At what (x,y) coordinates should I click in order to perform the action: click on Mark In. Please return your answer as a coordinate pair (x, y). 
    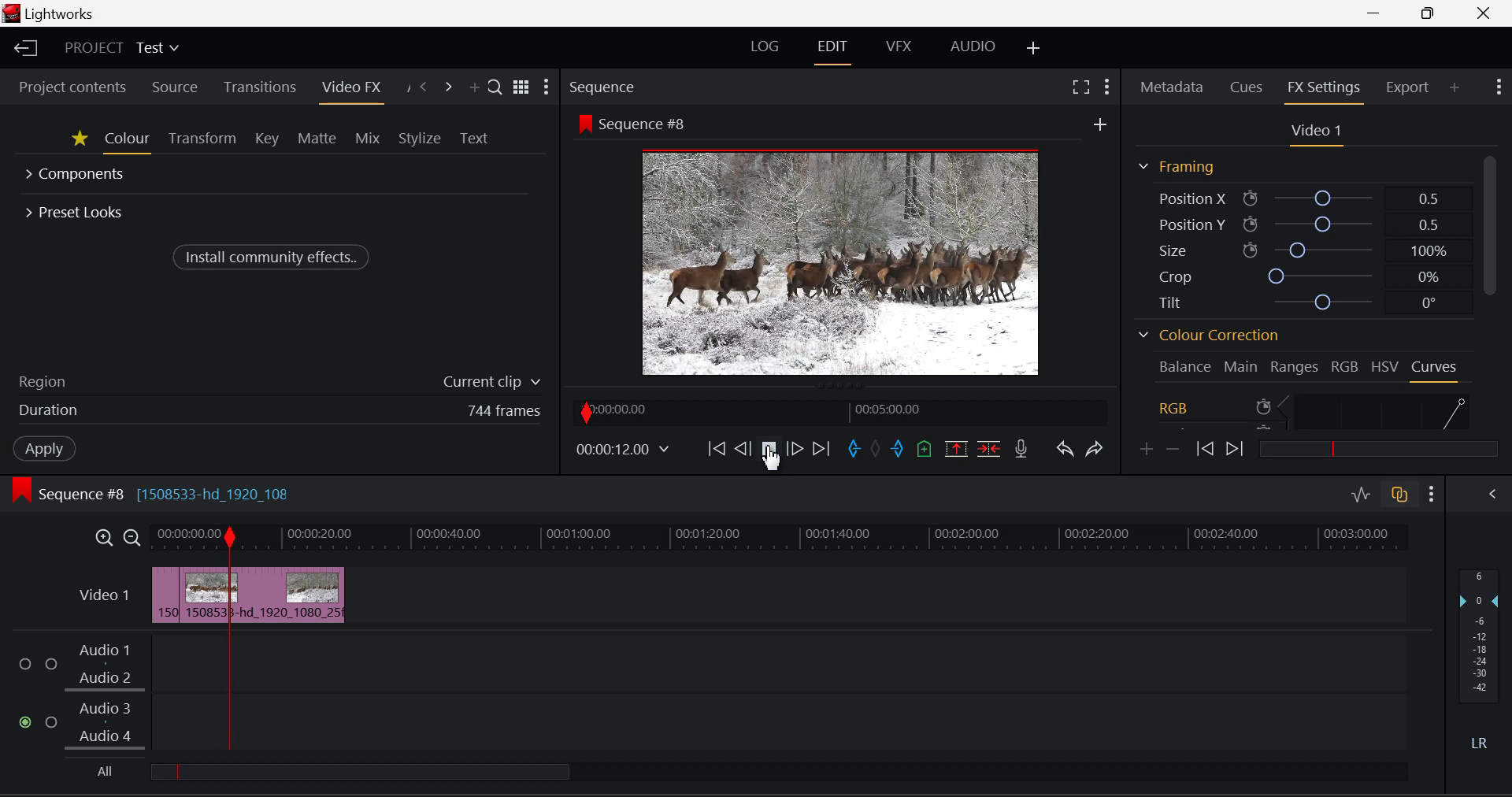
    Looking at the image, I should click on (854, 448).